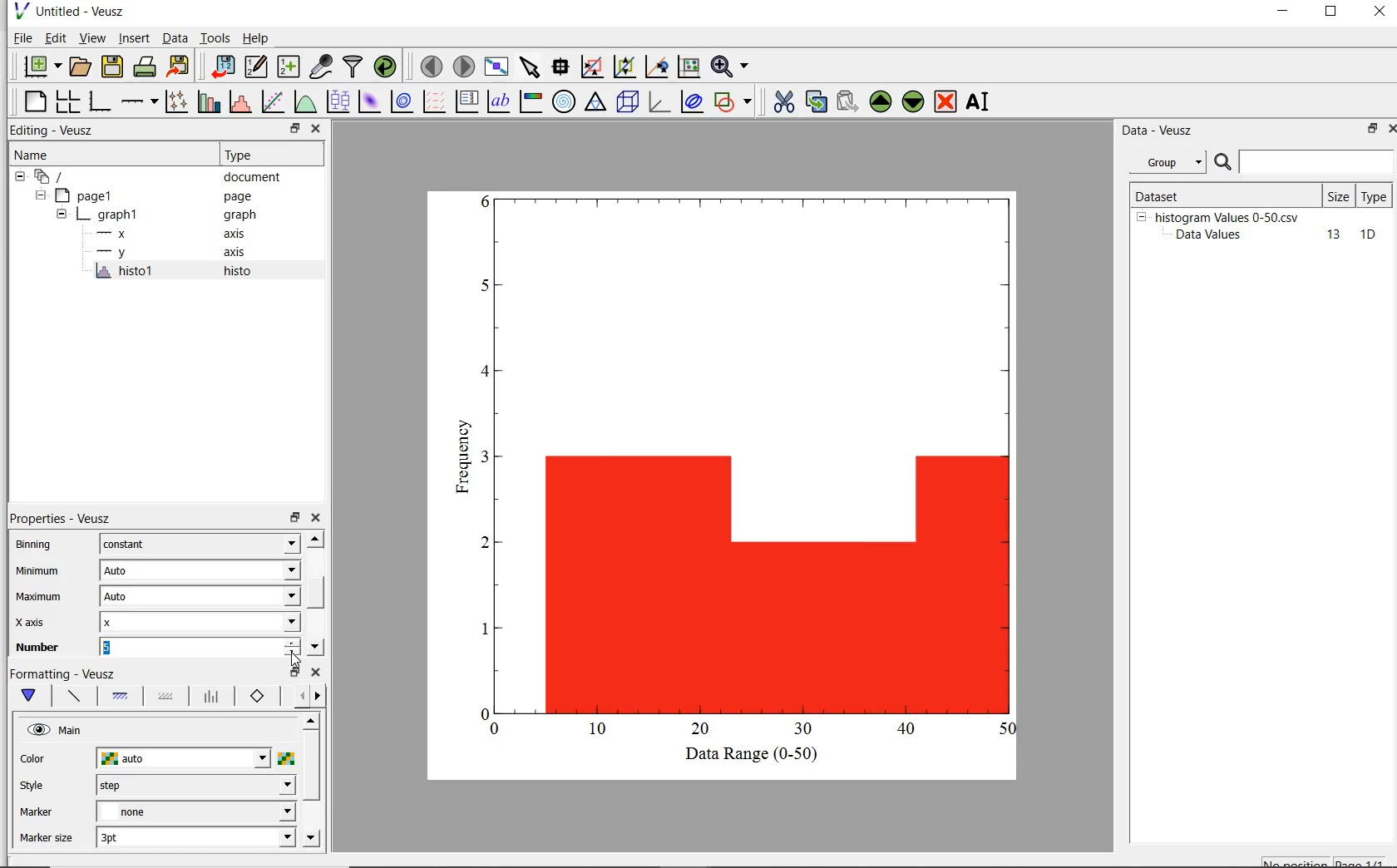 The width and height of the screenshot is (1397, 868). Describe the element at coordinates (39, 598) in the screenshot. I see `Maximum` at that location.